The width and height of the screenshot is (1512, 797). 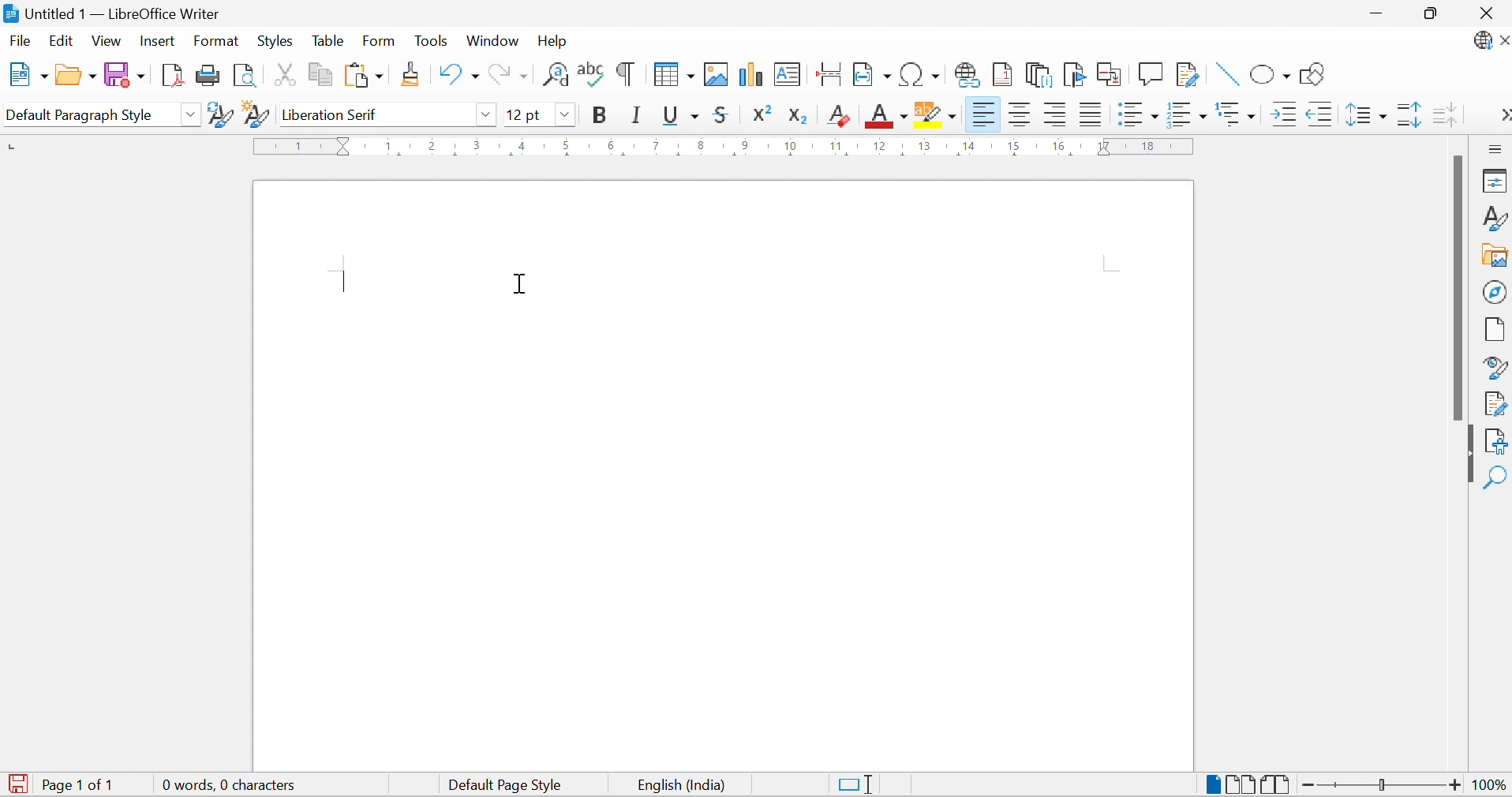 I want to click on Style Inspector, so click(x=1496, y=368).